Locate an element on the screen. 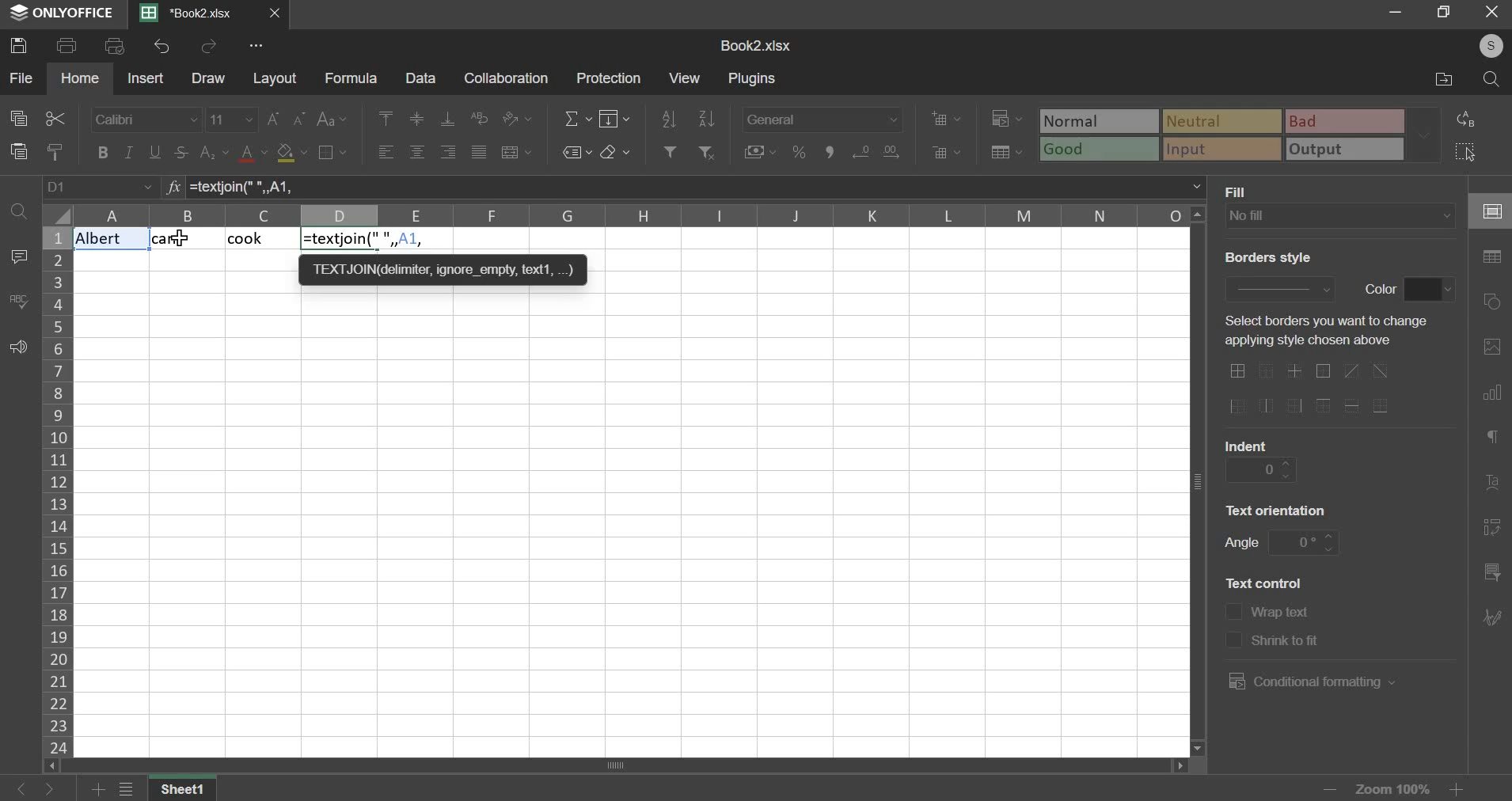 The width and height of the screenshot is (1512, 801). paste is located at coordinates (19, 151).